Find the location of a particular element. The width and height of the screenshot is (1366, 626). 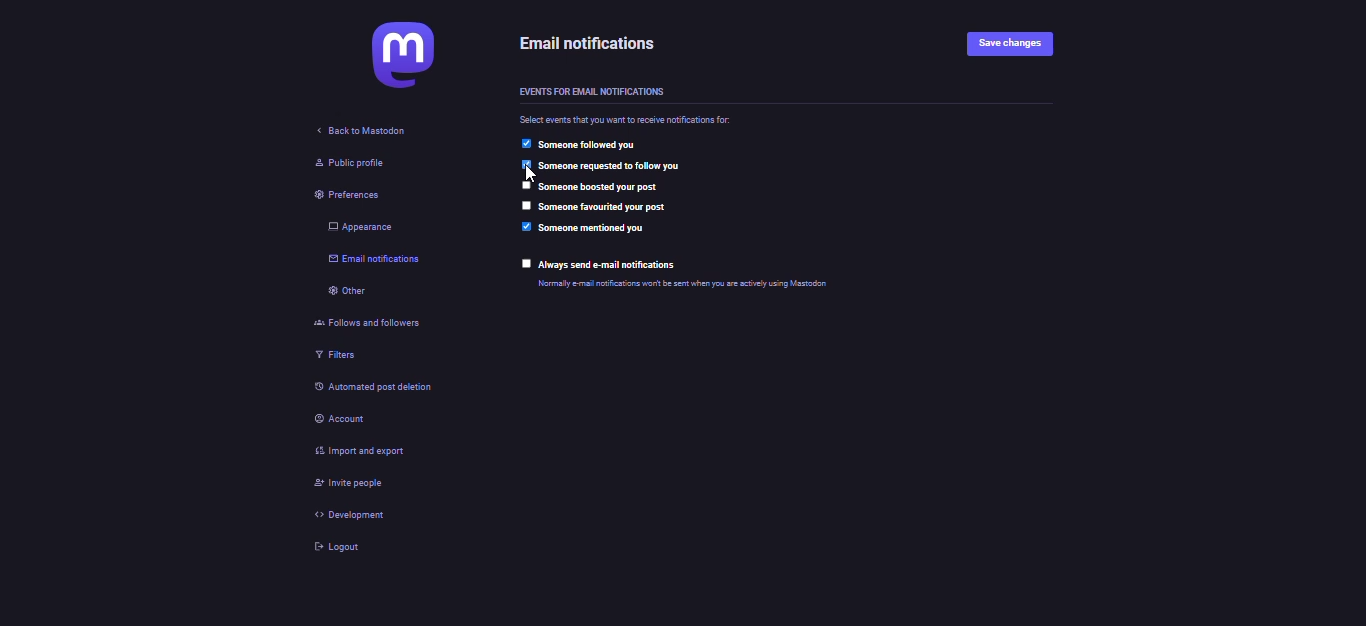

someone favorited your post is located at coordinates (610, 207).